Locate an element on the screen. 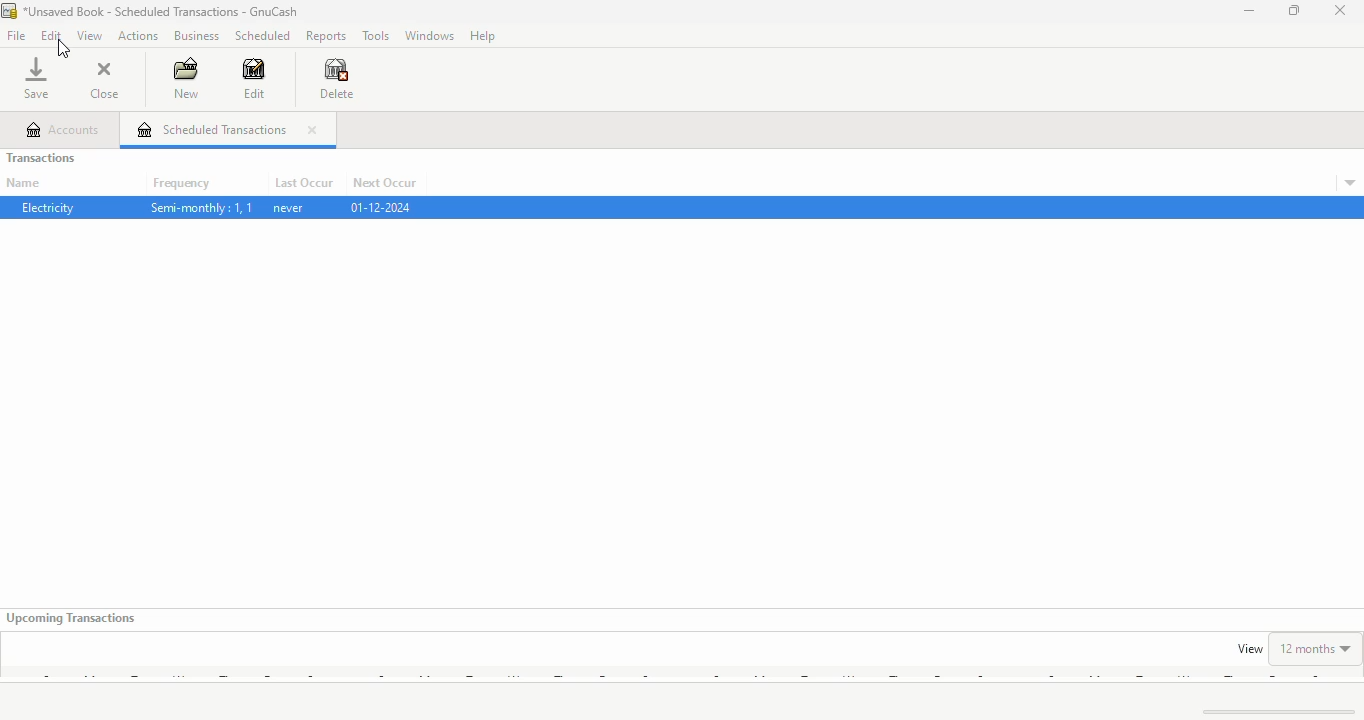  close is located at coordinates (1341, 10).